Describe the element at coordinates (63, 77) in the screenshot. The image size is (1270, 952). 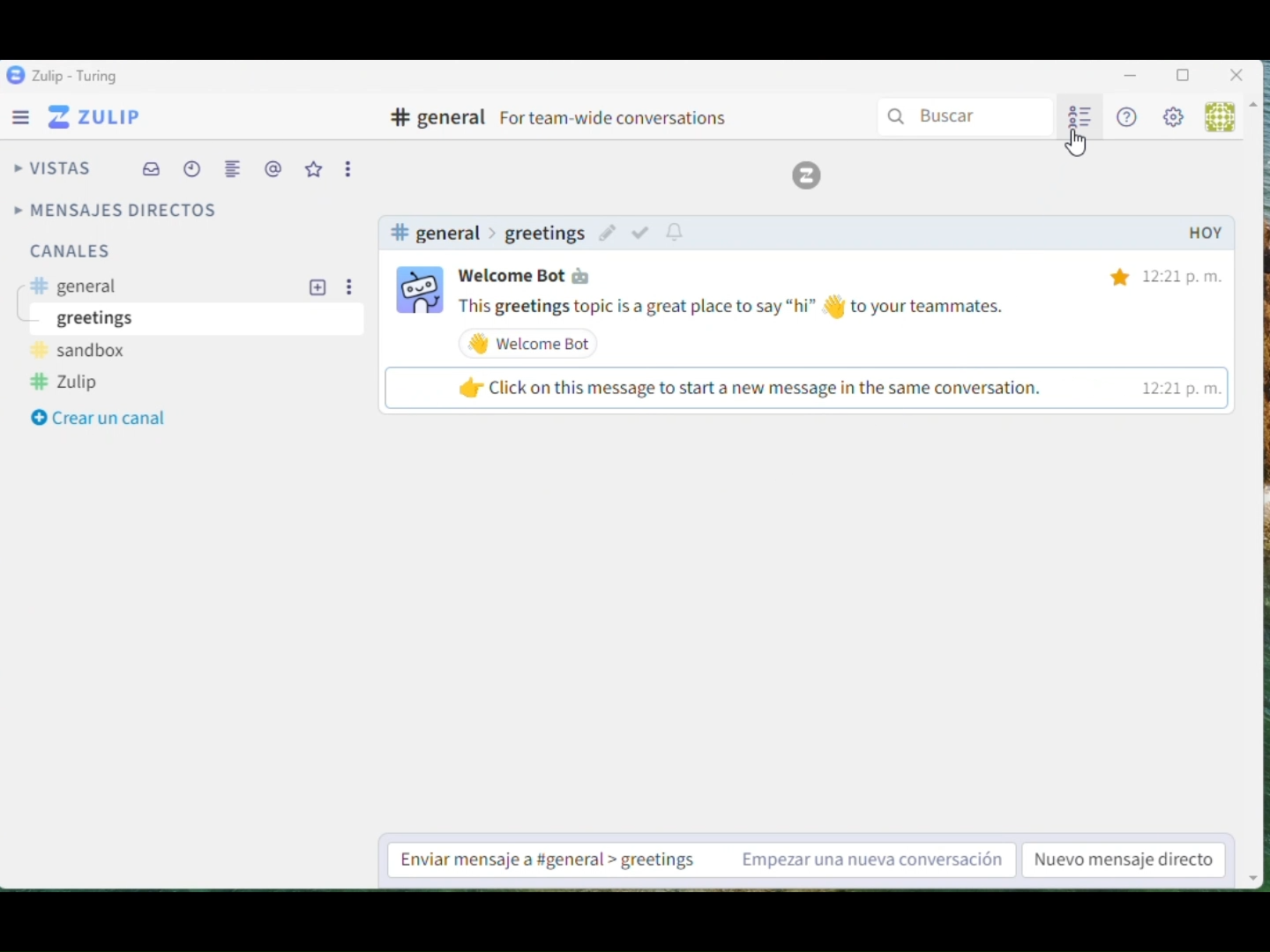
I see `Zulip` at that location.